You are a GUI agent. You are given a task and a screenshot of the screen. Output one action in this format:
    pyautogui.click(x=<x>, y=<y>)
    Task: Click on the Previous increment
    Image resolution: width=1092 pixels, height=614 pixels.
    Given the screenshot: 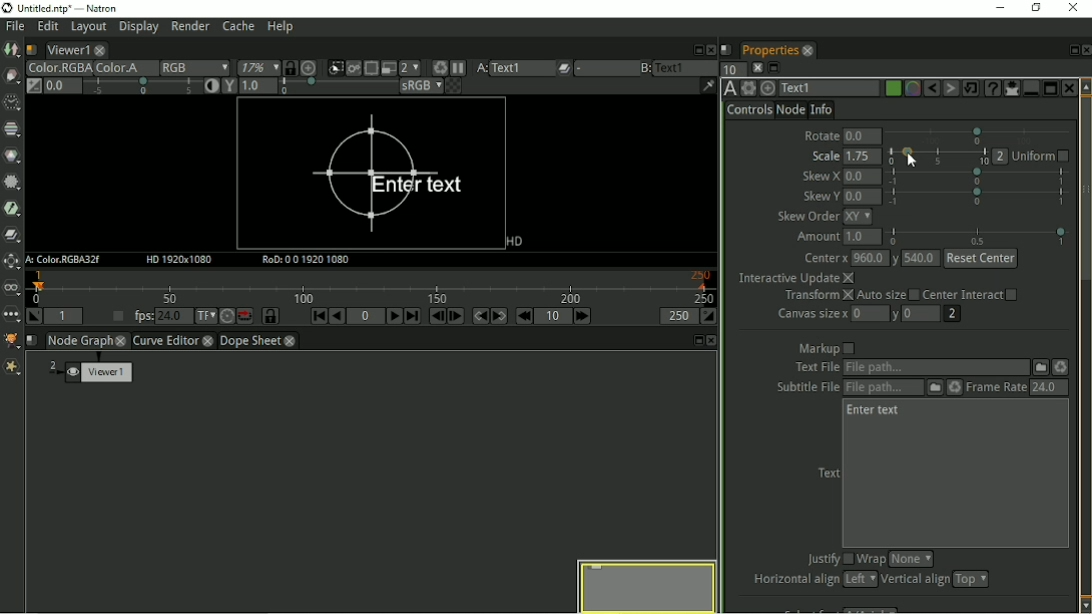 What is the action you would take?
    pyautogui.click(x=524, y=316)
    